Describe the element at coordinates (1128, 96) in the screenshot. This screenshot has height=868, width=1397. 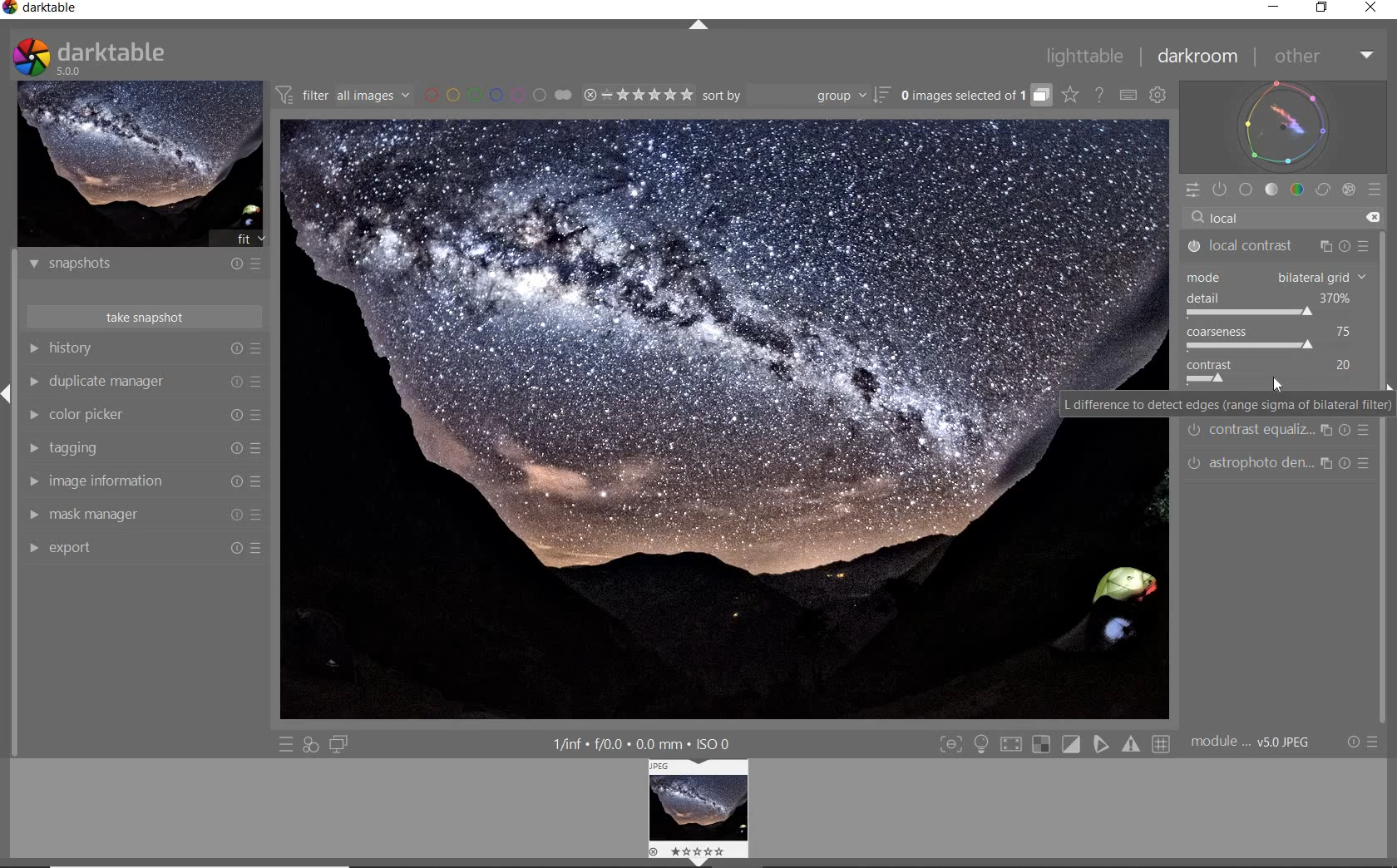
I see `SET KEYBOARD SHORTCUTS` at that location.